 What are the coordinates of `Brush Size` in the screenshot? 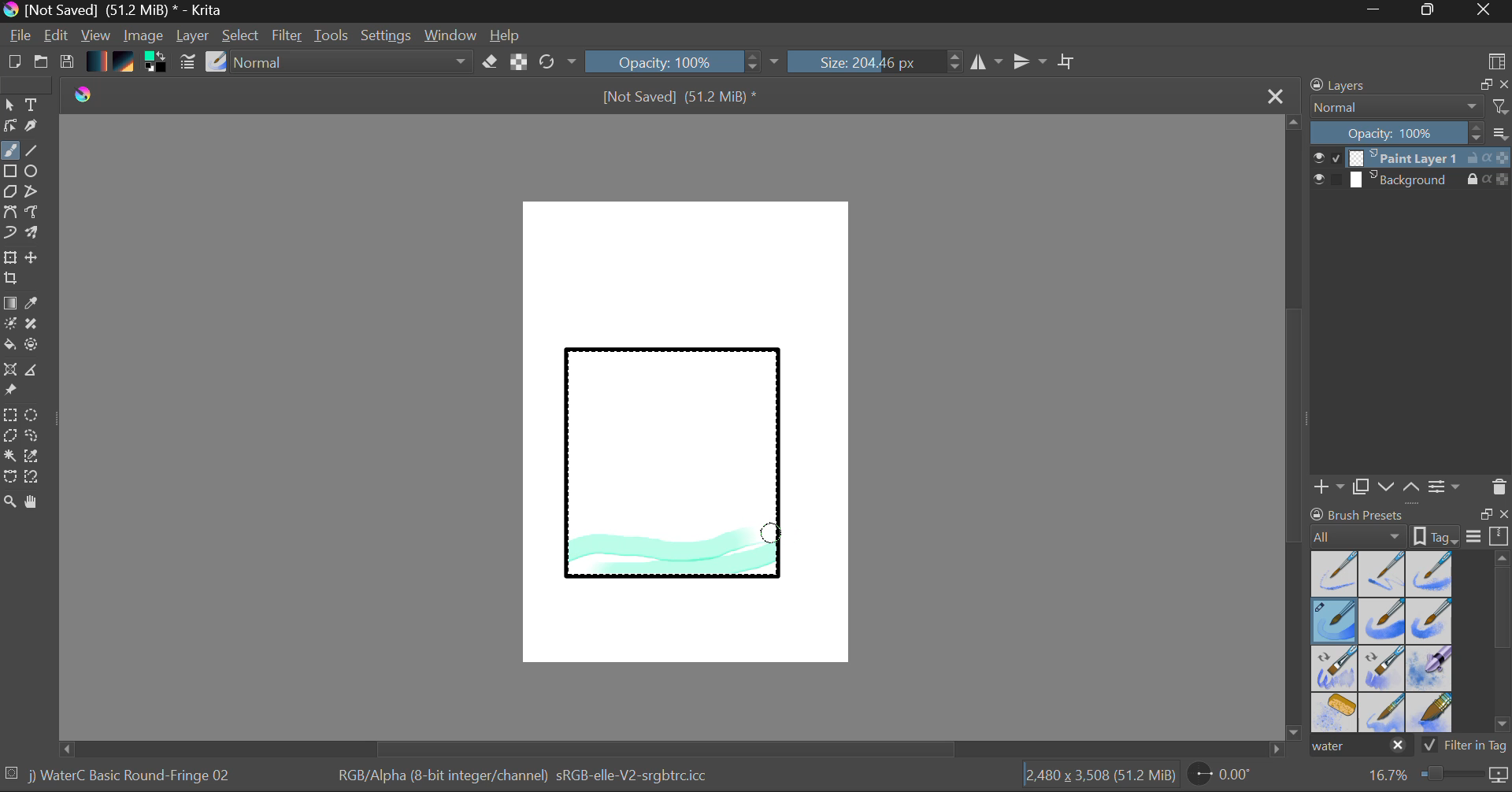 It's located at (876, 61).